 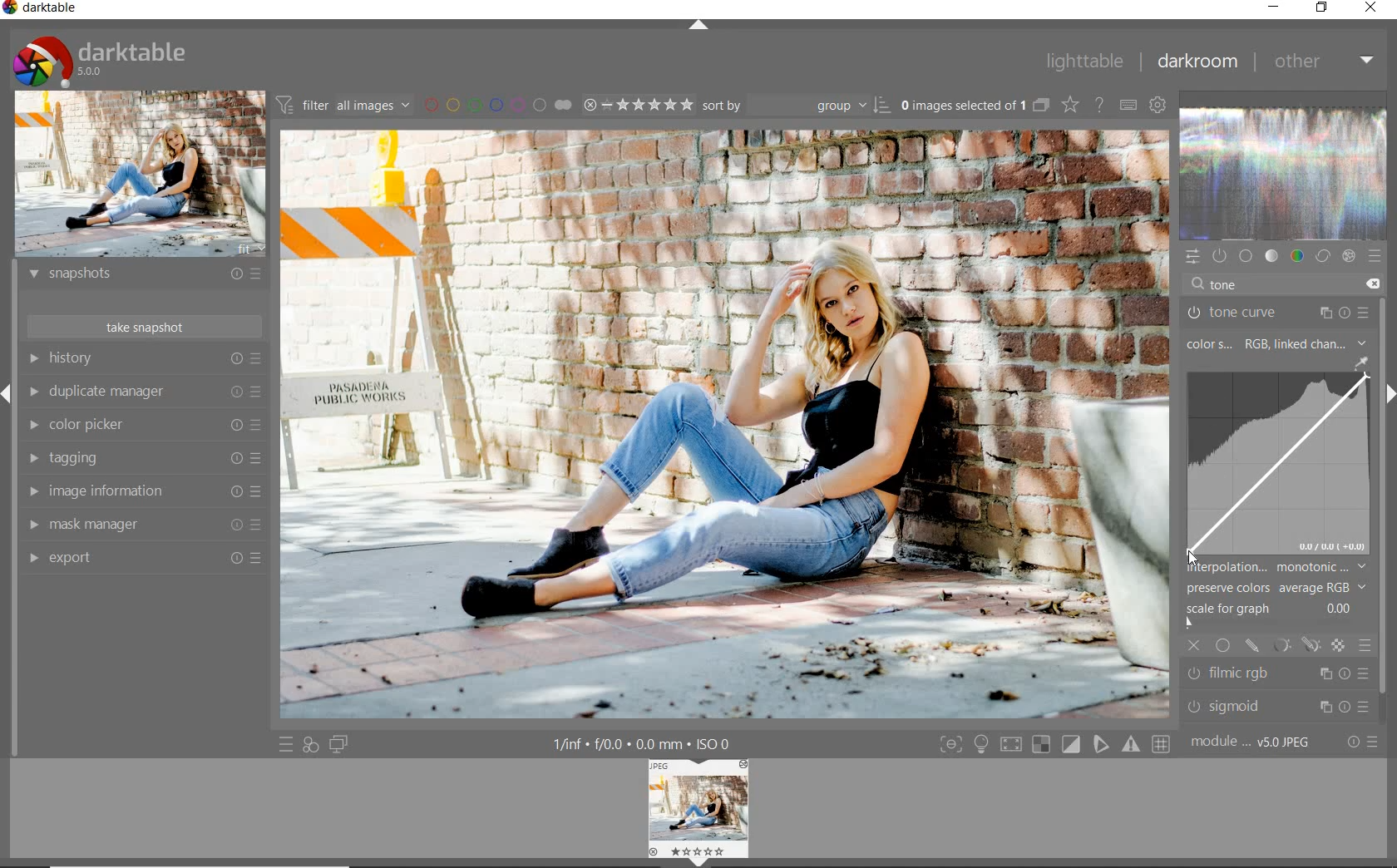 What do you see at coordinates (143, 491) in the screenshot?
I see `image information` at bounding box center [143, 491].